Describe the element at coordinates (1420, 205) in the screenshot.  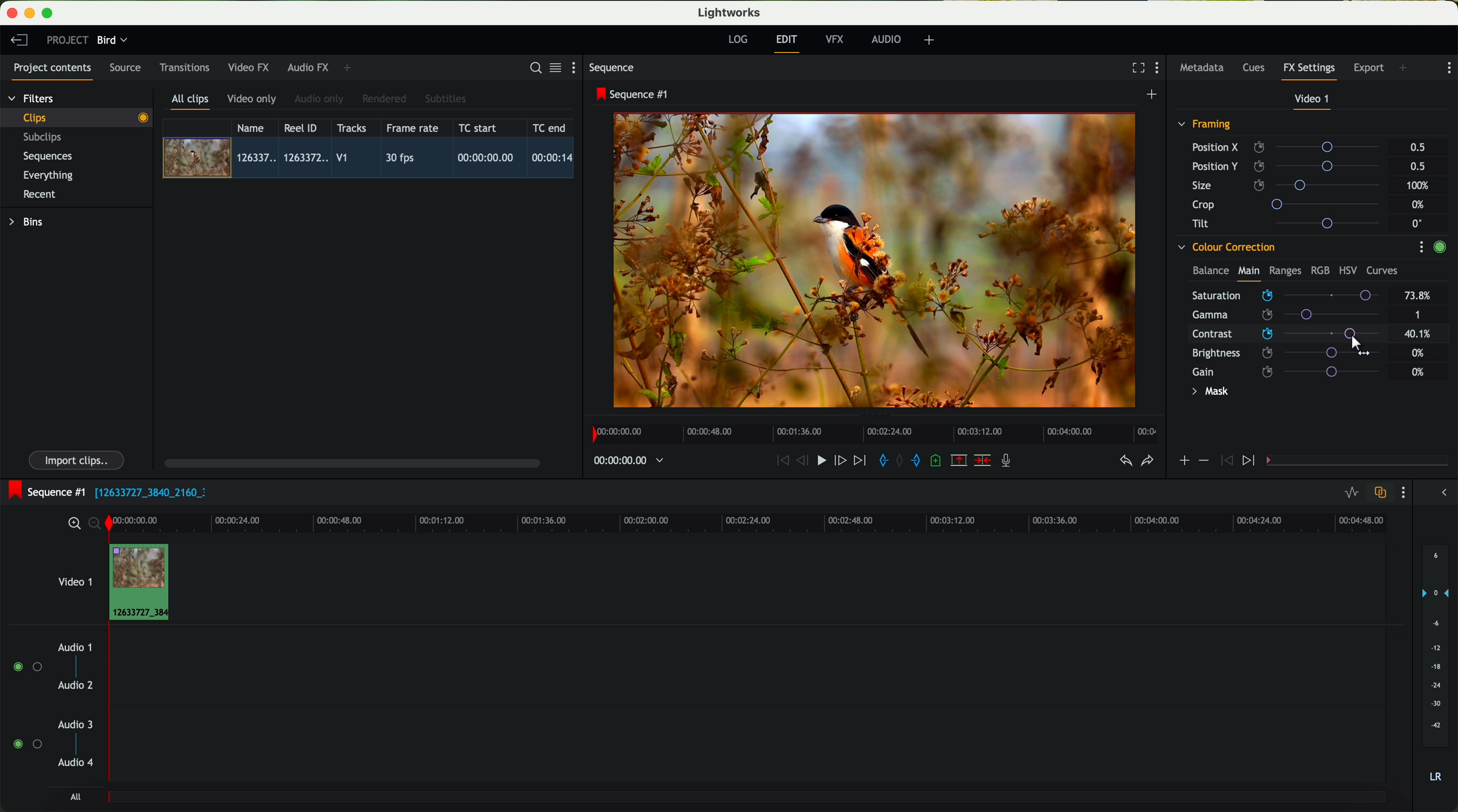
I see `0%` at that location.